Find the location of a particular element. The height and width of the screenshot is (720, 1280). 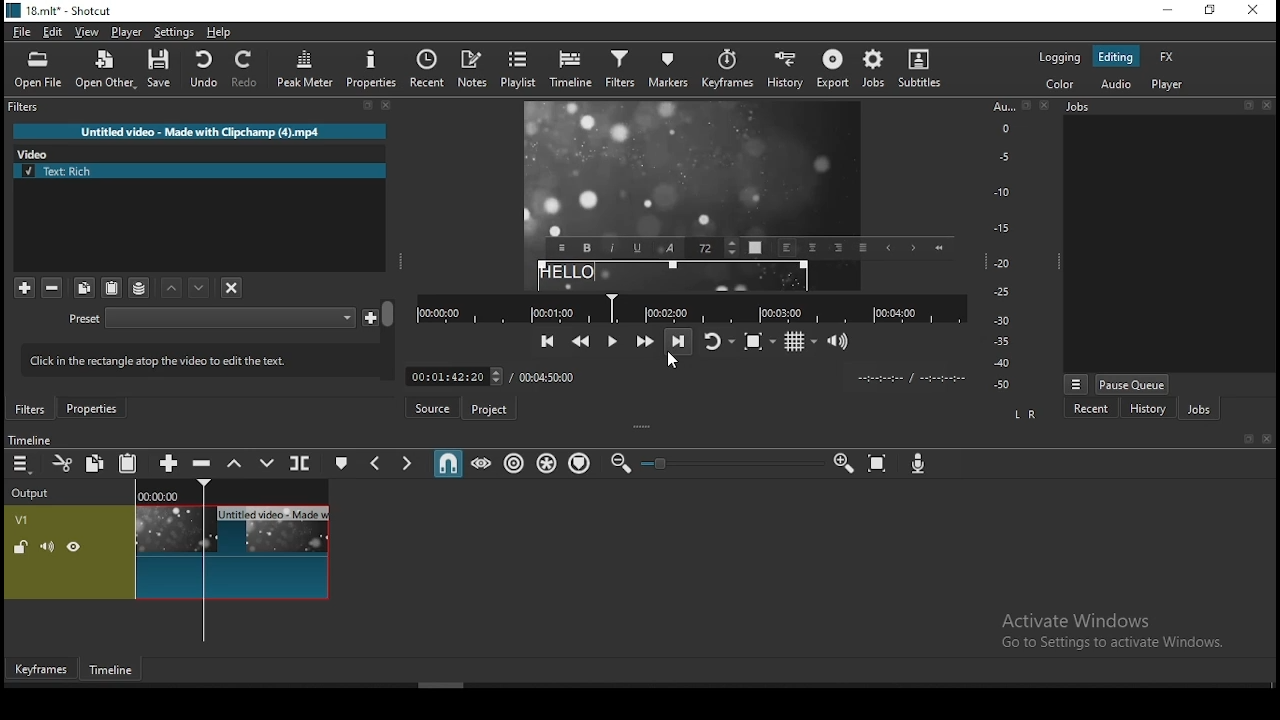

Left align is located at coordinates (788, 248).